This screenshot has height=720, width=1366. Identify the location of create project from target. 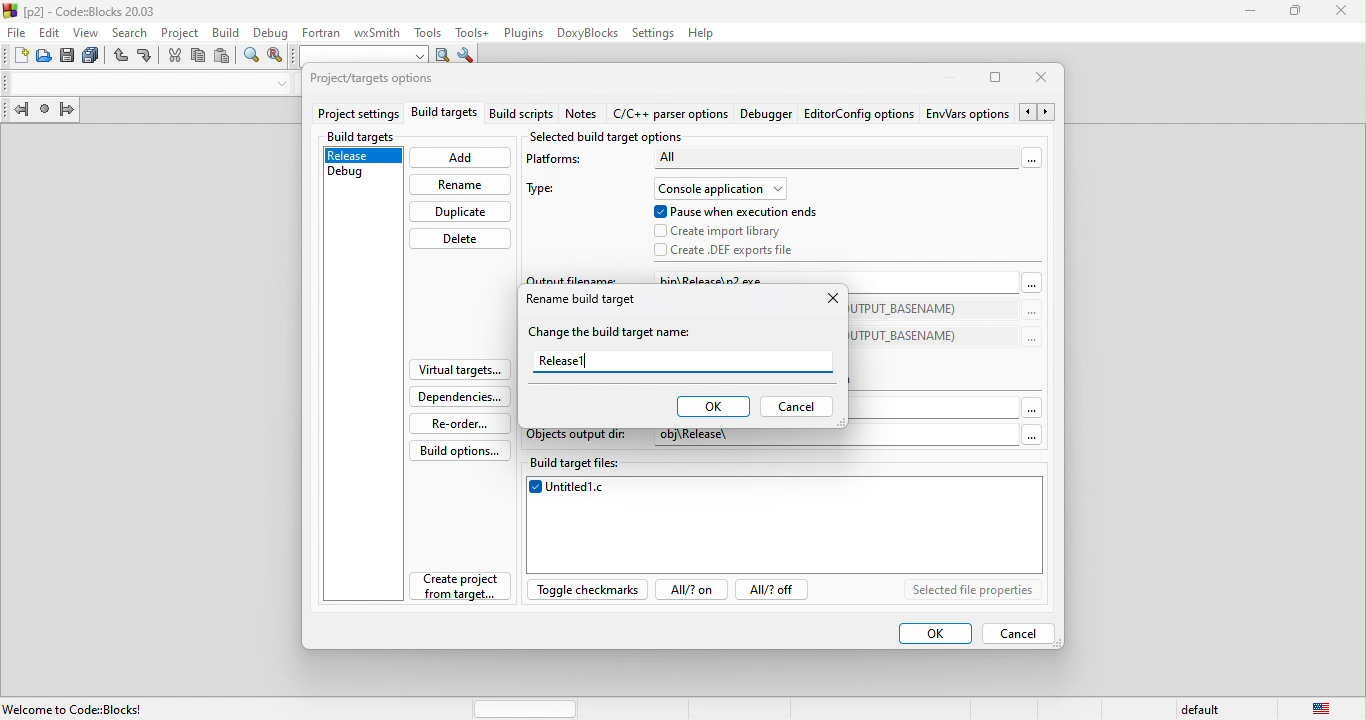
(453, 591).